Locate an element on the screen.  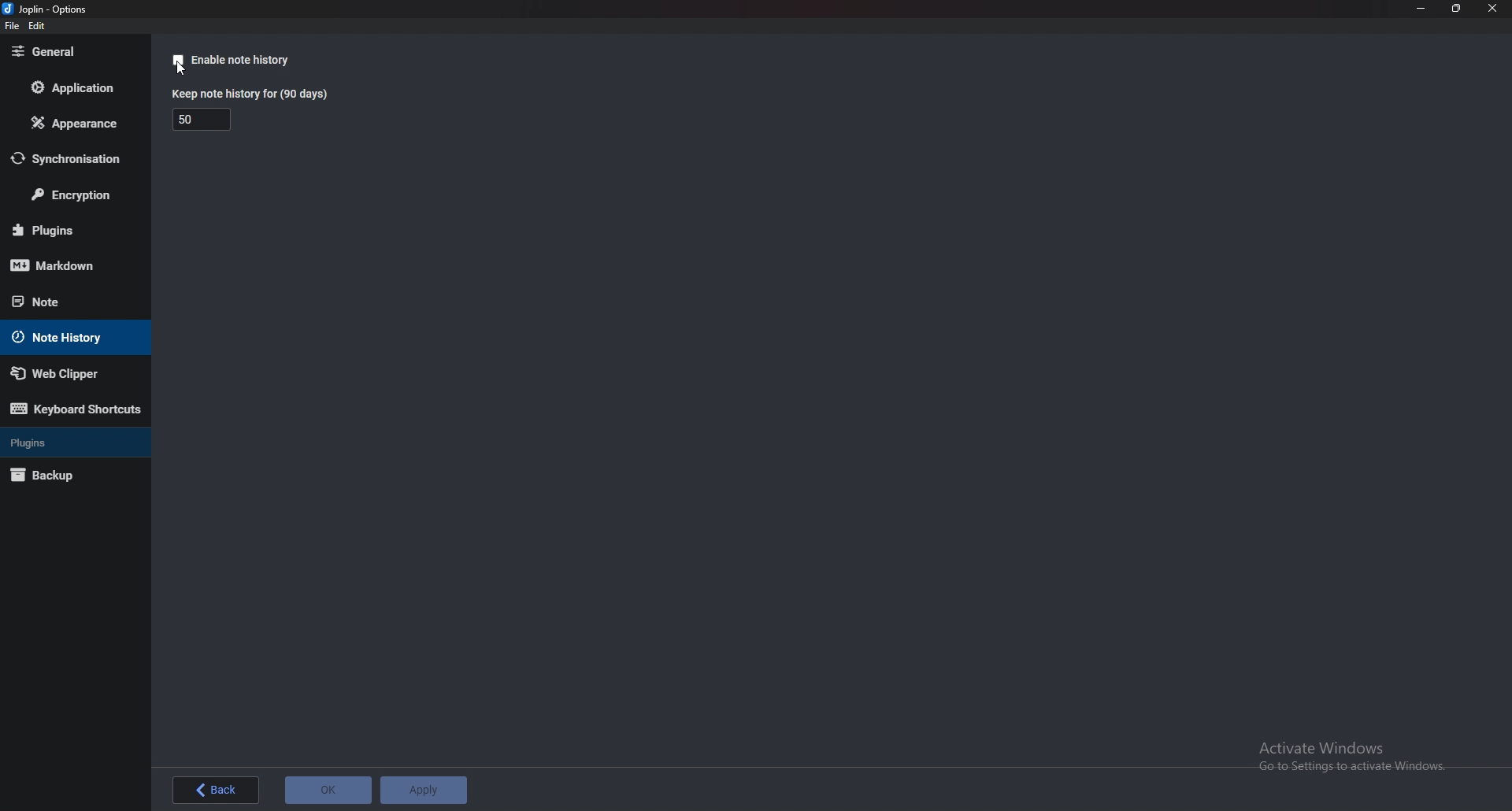
General is located at coordinates (72, 53).